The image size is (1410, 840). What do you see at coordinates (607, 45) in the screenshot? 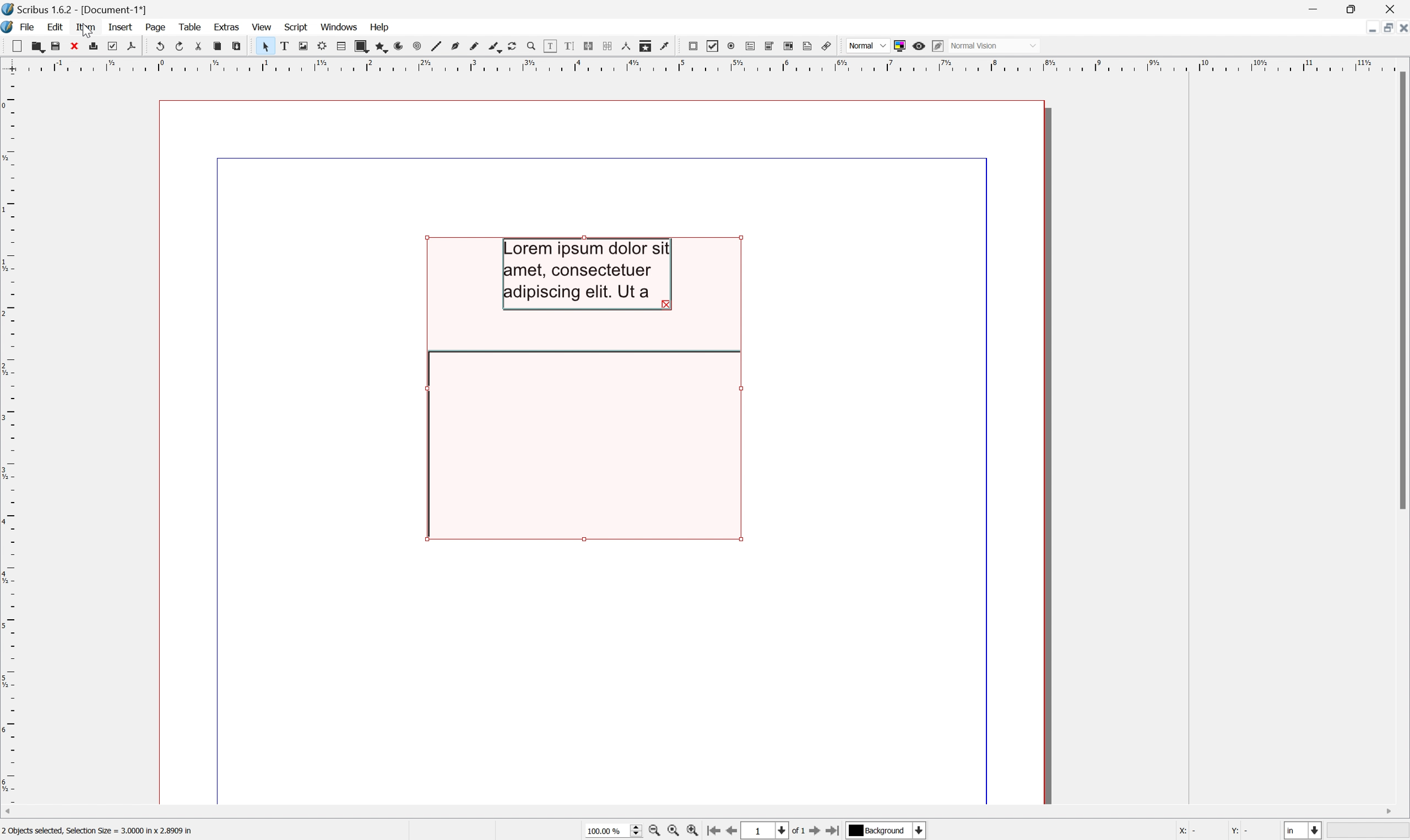
I see `Unlink text frames` at bounding box center [607, 45].